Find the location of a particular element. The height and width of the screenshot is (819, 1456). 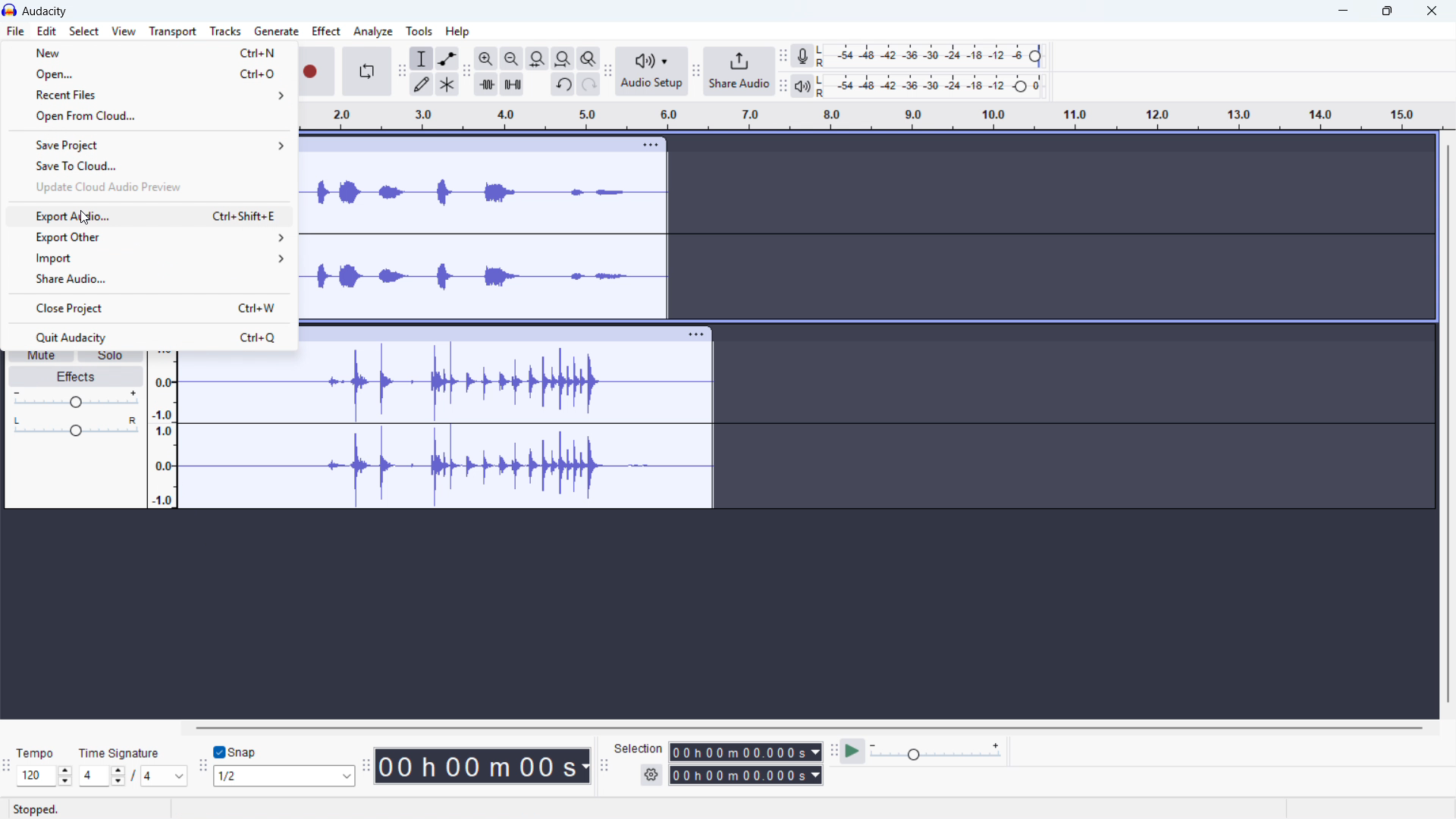

recording level is located at coordinates (934, 56).